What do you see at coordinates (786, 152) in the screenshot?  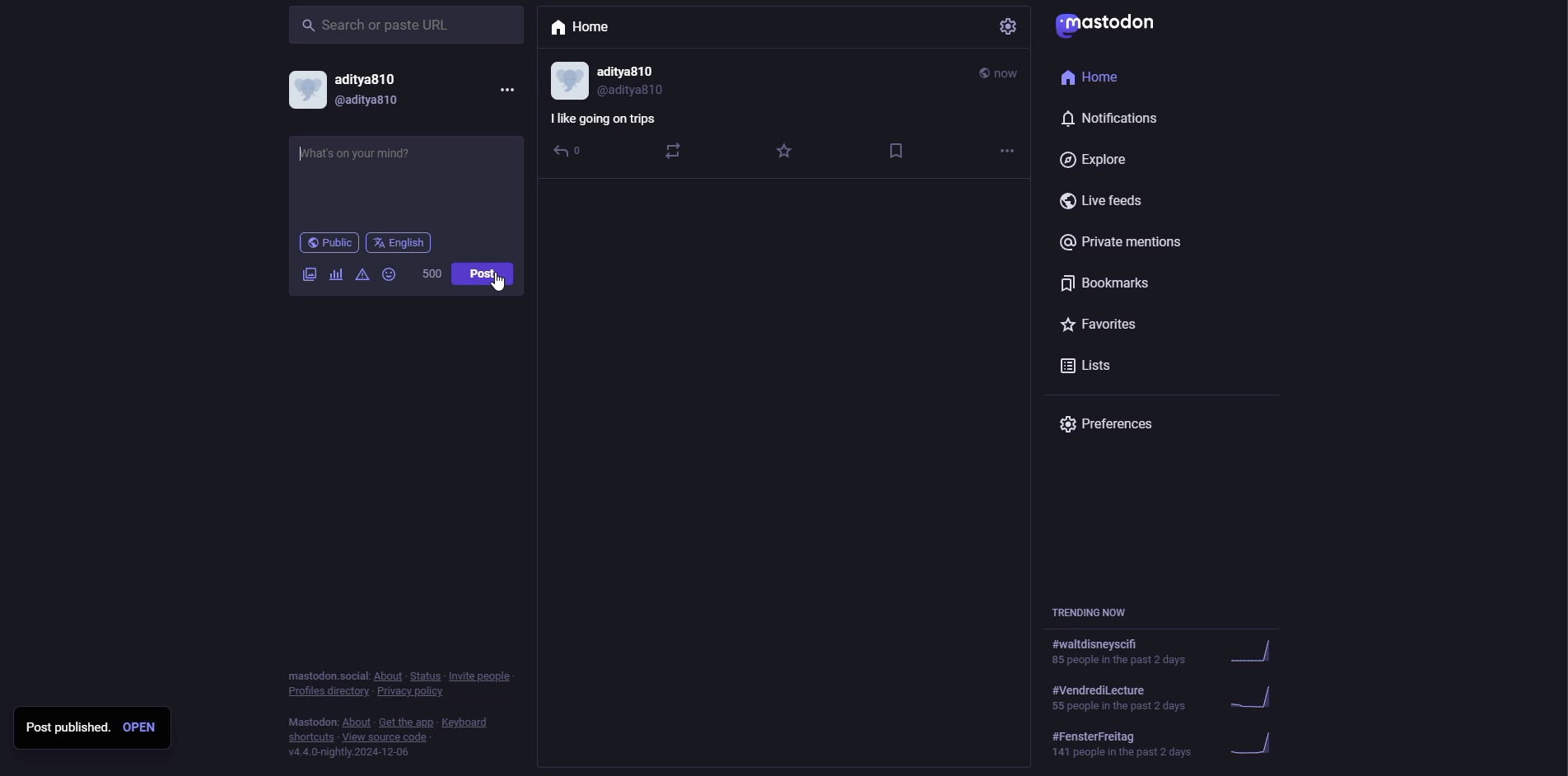 I see `favorite` at bounding box center [786, 152].